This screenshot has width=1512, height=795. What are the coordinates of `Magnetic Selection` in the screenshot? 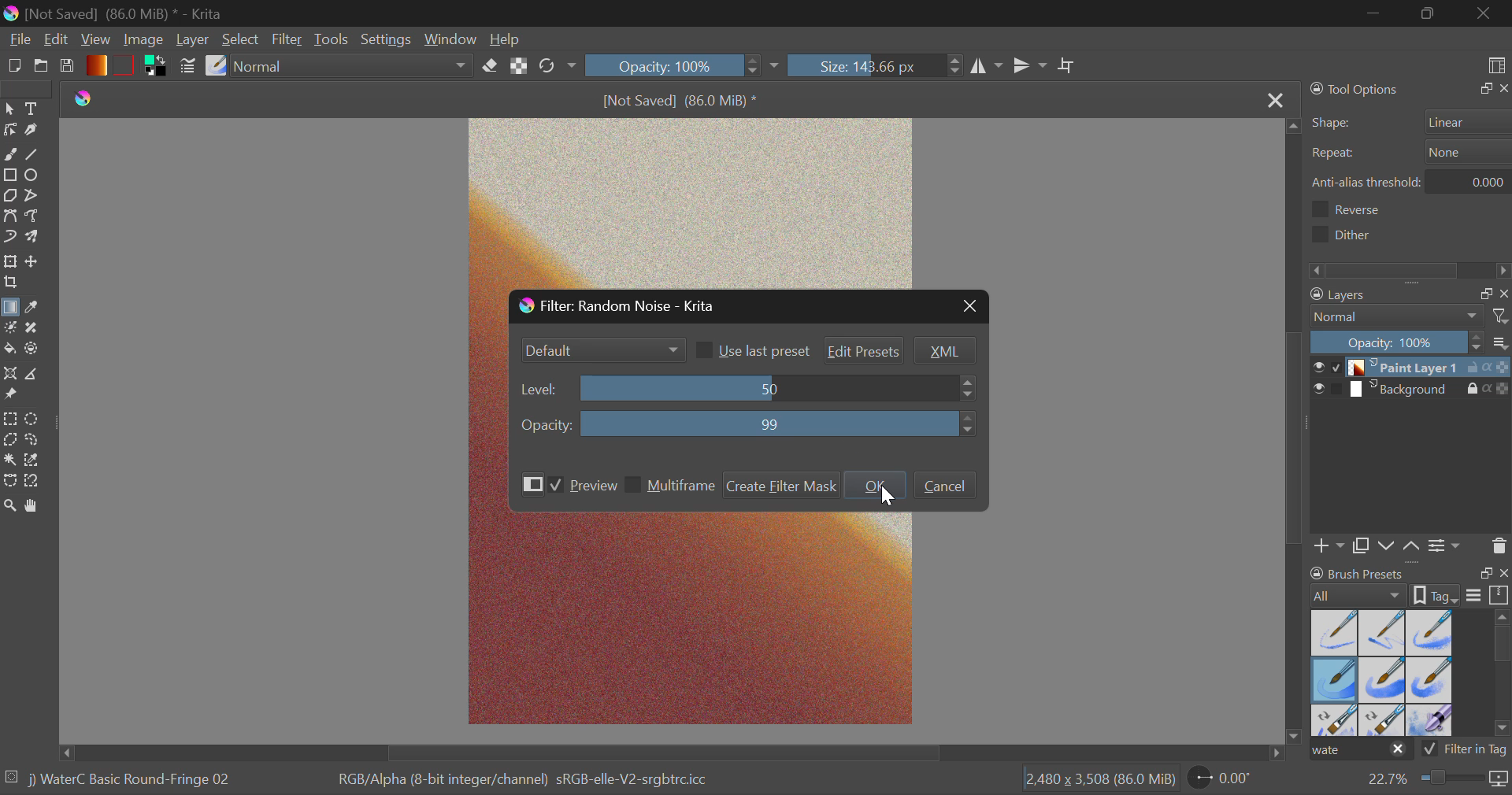 It's located at (33, 483).